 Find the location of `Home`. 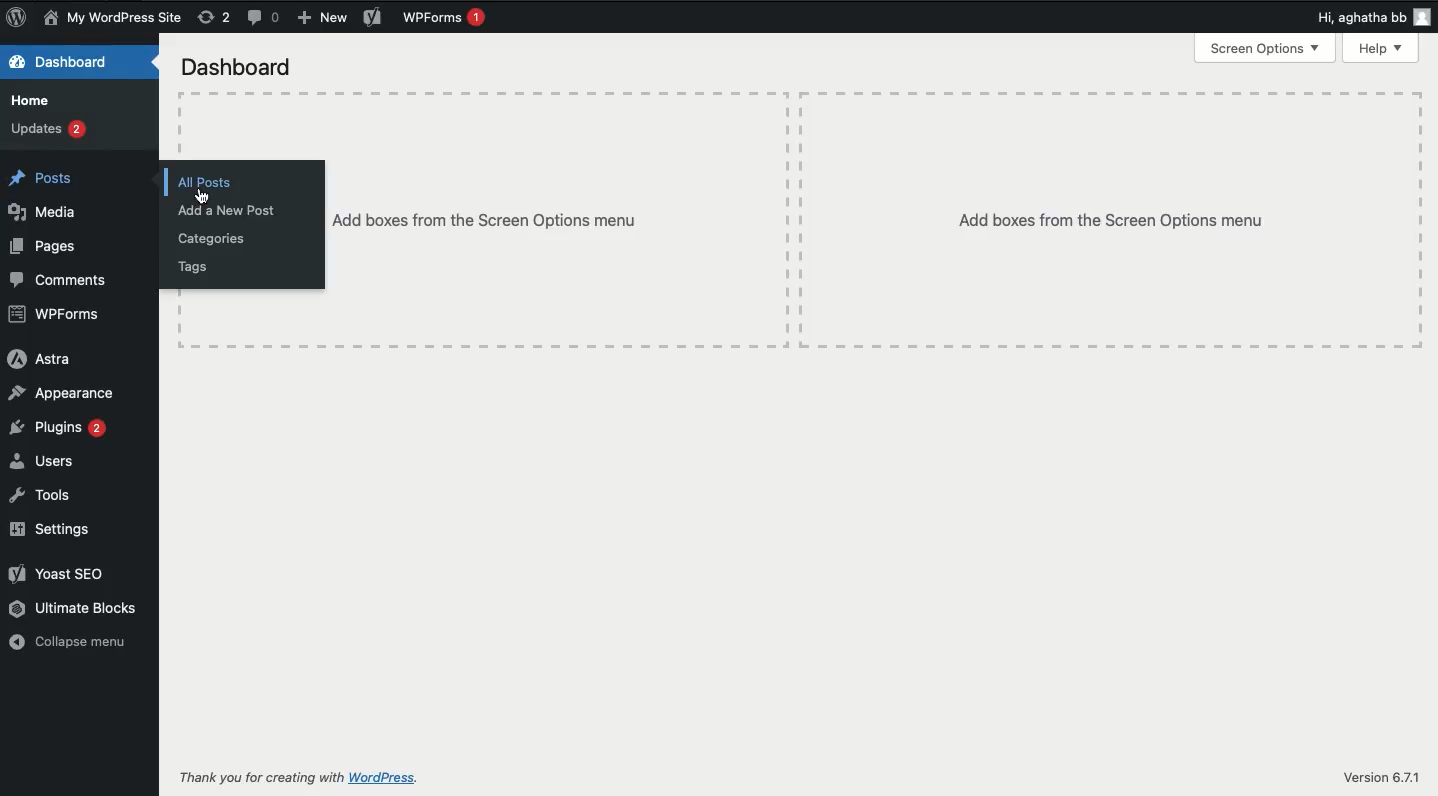

Home is located at coordinates (36, 101).